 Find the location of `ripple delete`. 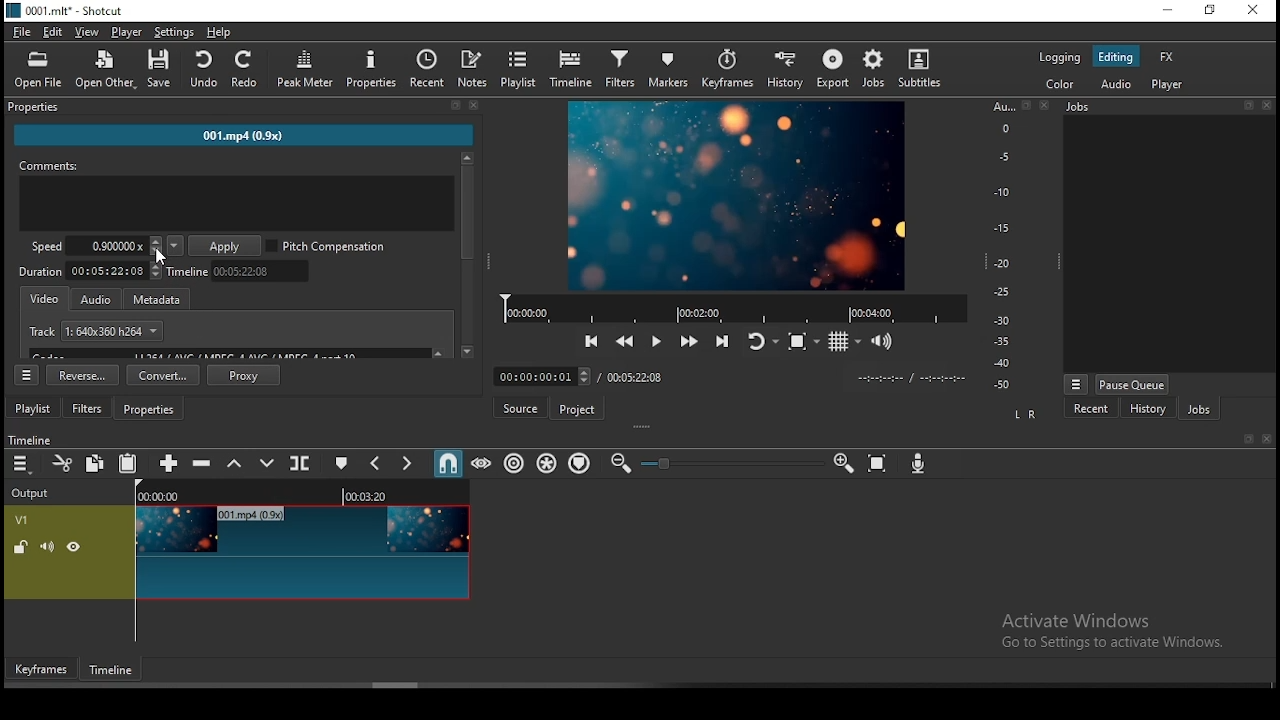

ripple delete is located at coordinates (207, 466).